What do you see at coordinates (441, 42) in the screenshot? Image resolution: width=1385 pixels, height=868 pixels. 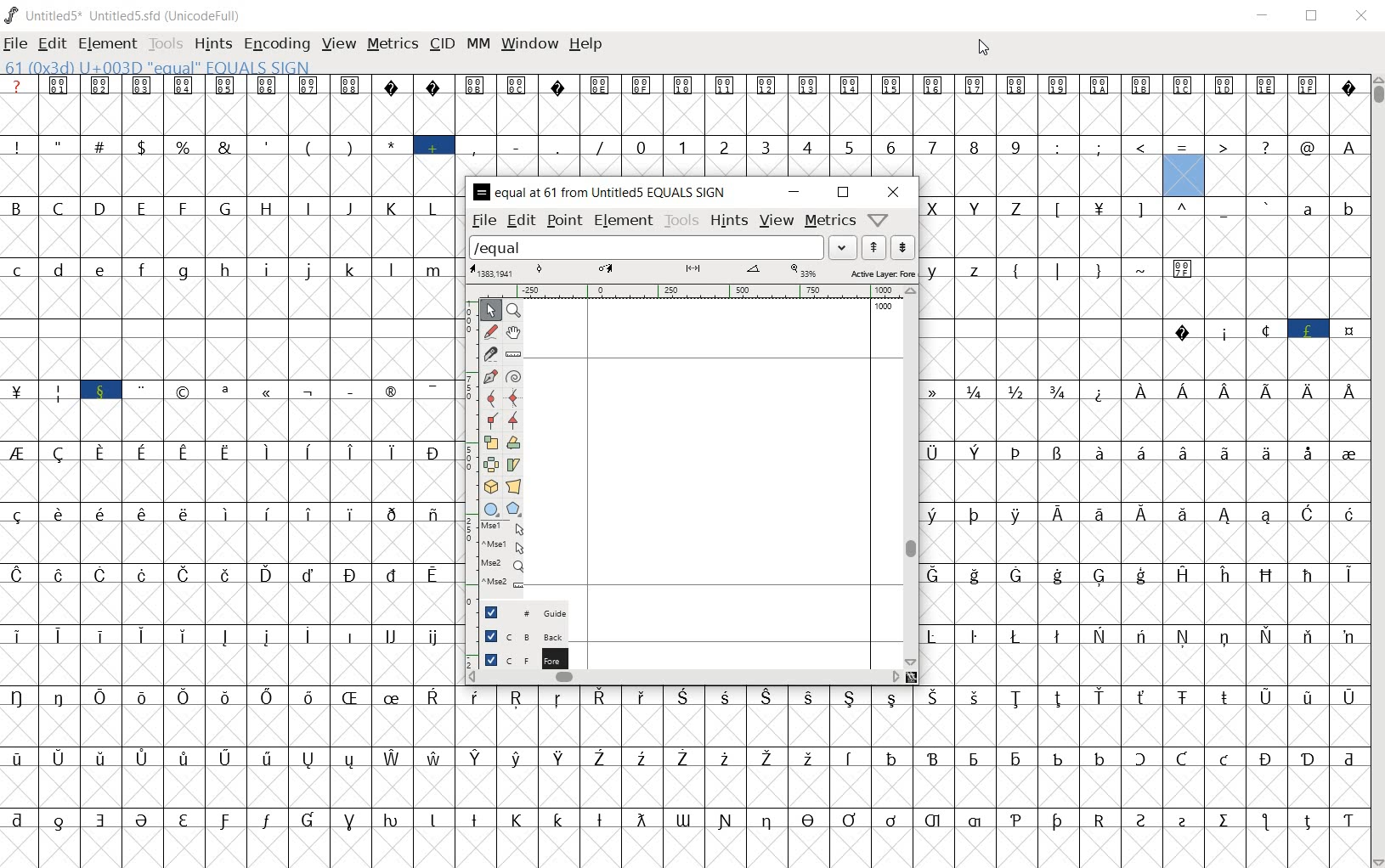 I see `cid` at bounding box center [441, 42].